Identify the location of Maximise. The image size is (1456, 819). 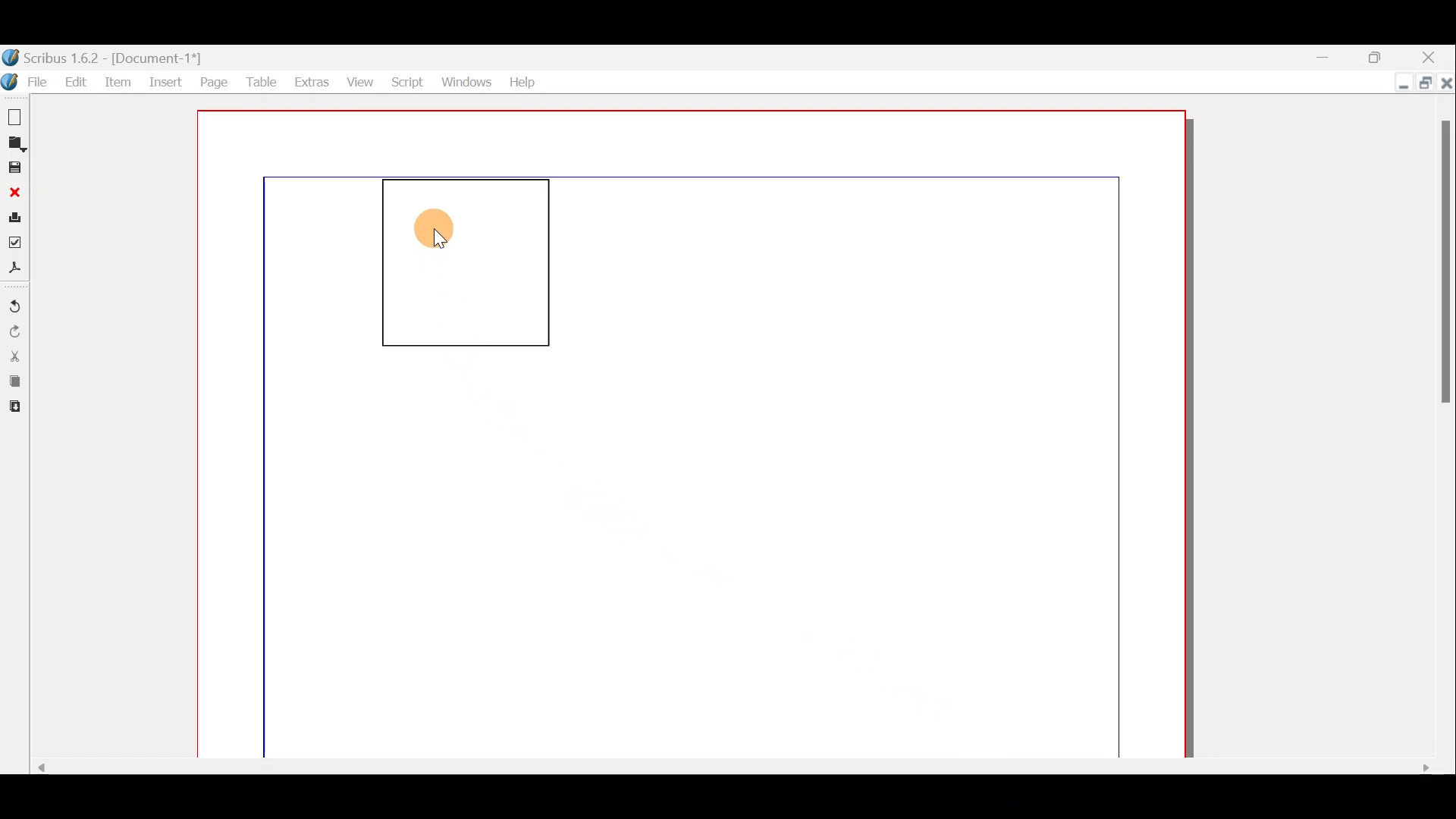
(1423, 81).